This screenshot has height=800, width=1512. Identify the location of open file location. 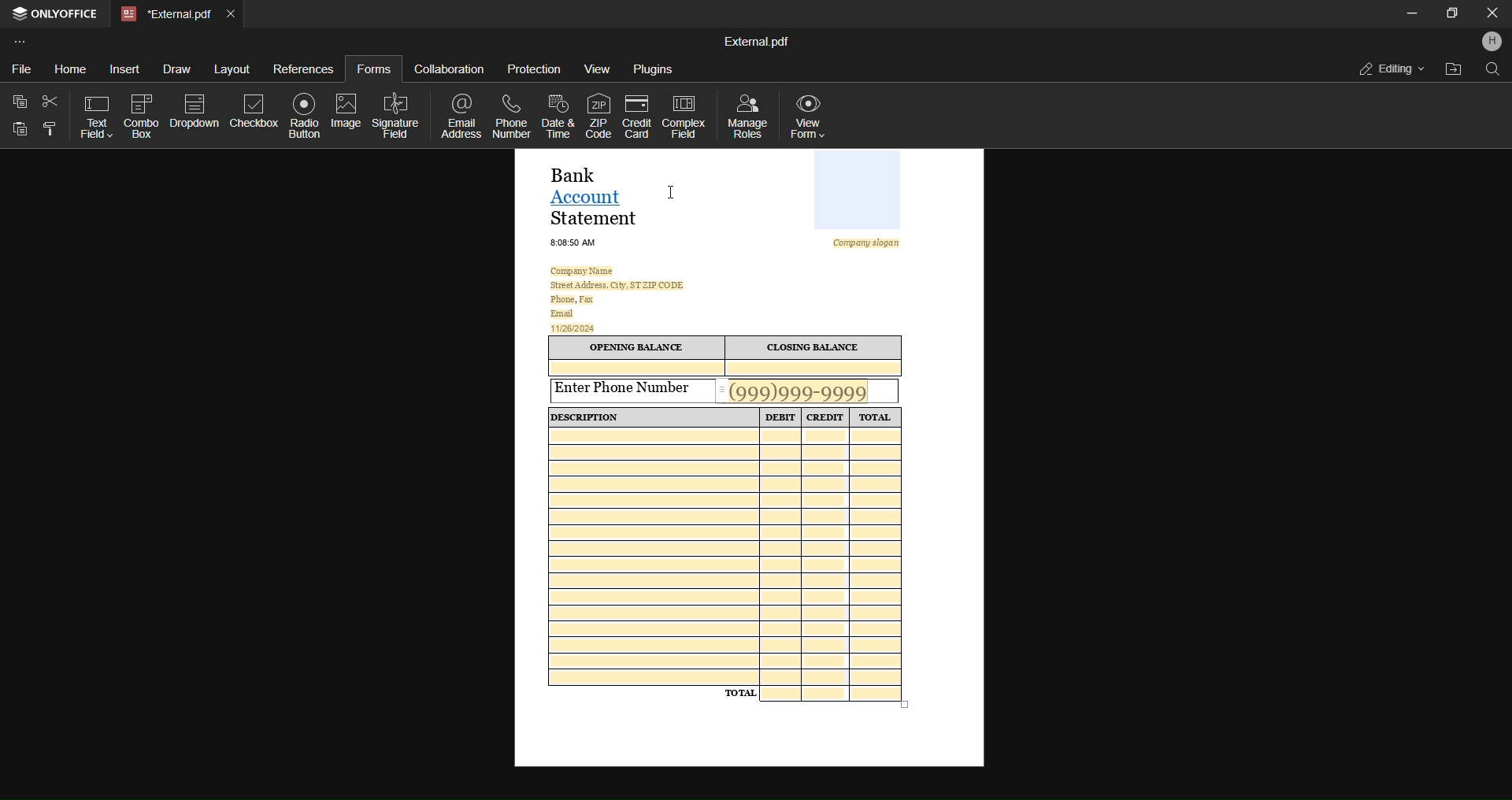
(1453, 69).